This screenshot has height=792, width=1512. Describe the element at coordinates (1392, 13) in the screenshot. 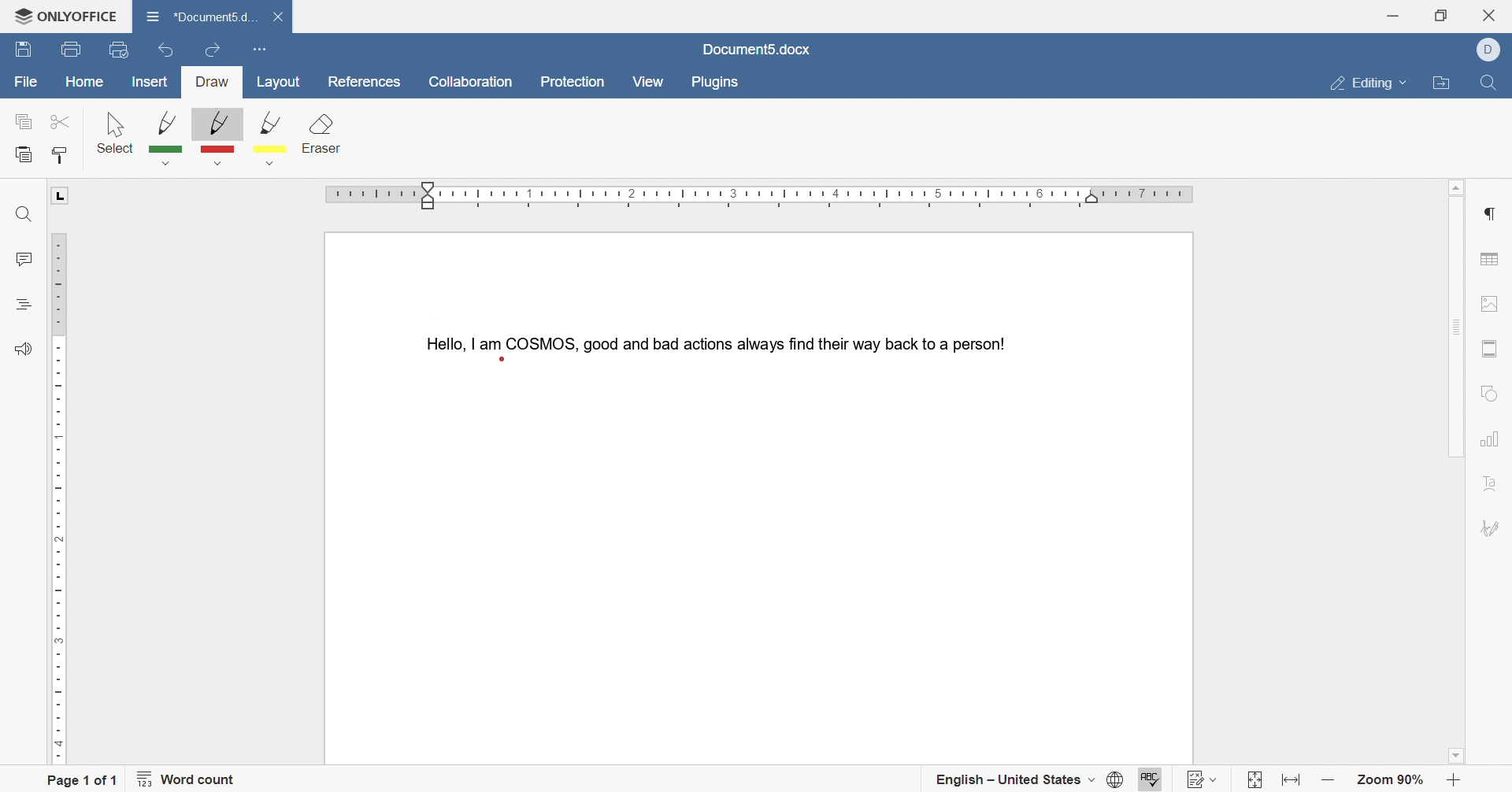

I see `minimize` at that location.